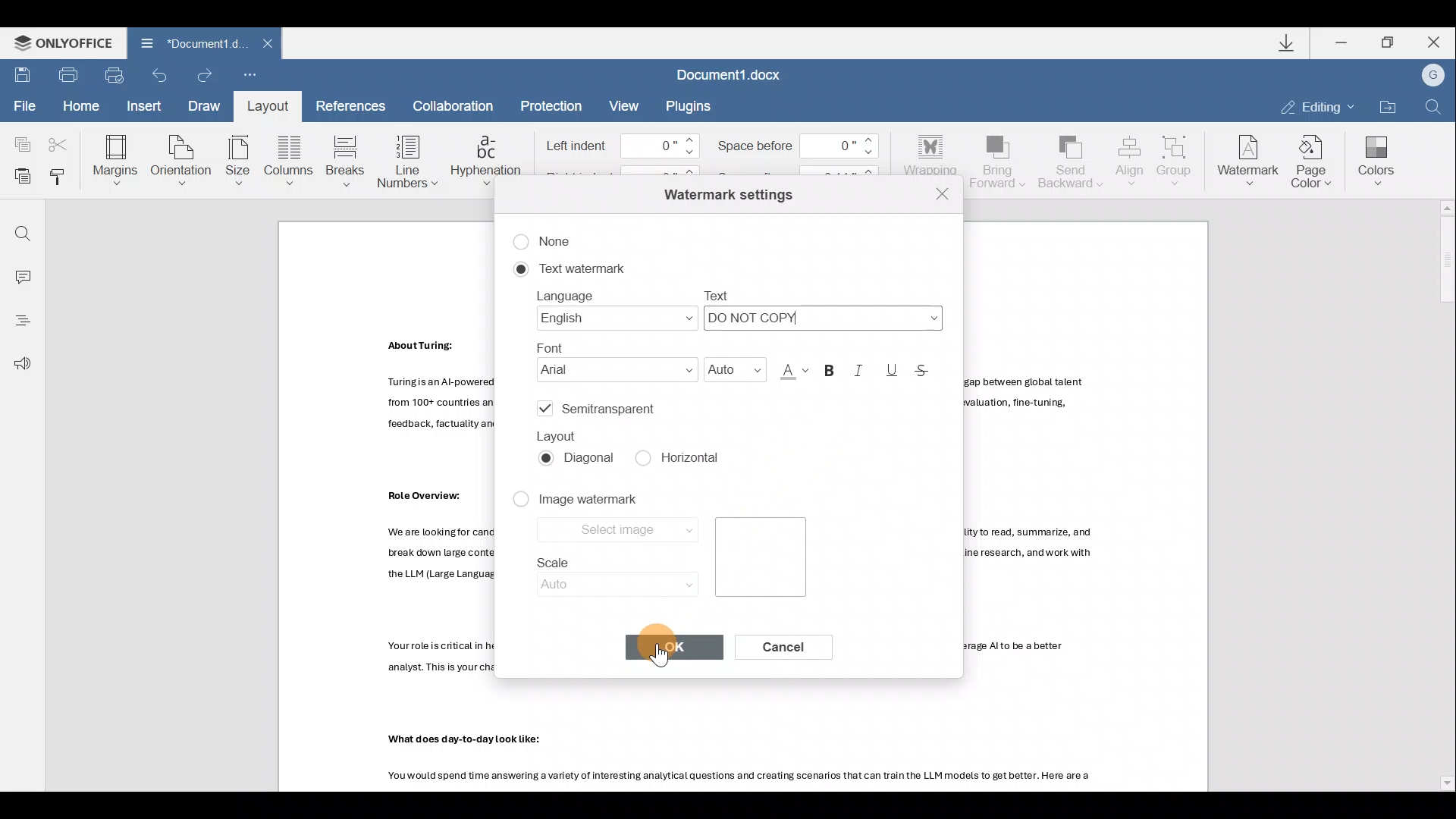  I want to click on Space before, so click(799, 145).